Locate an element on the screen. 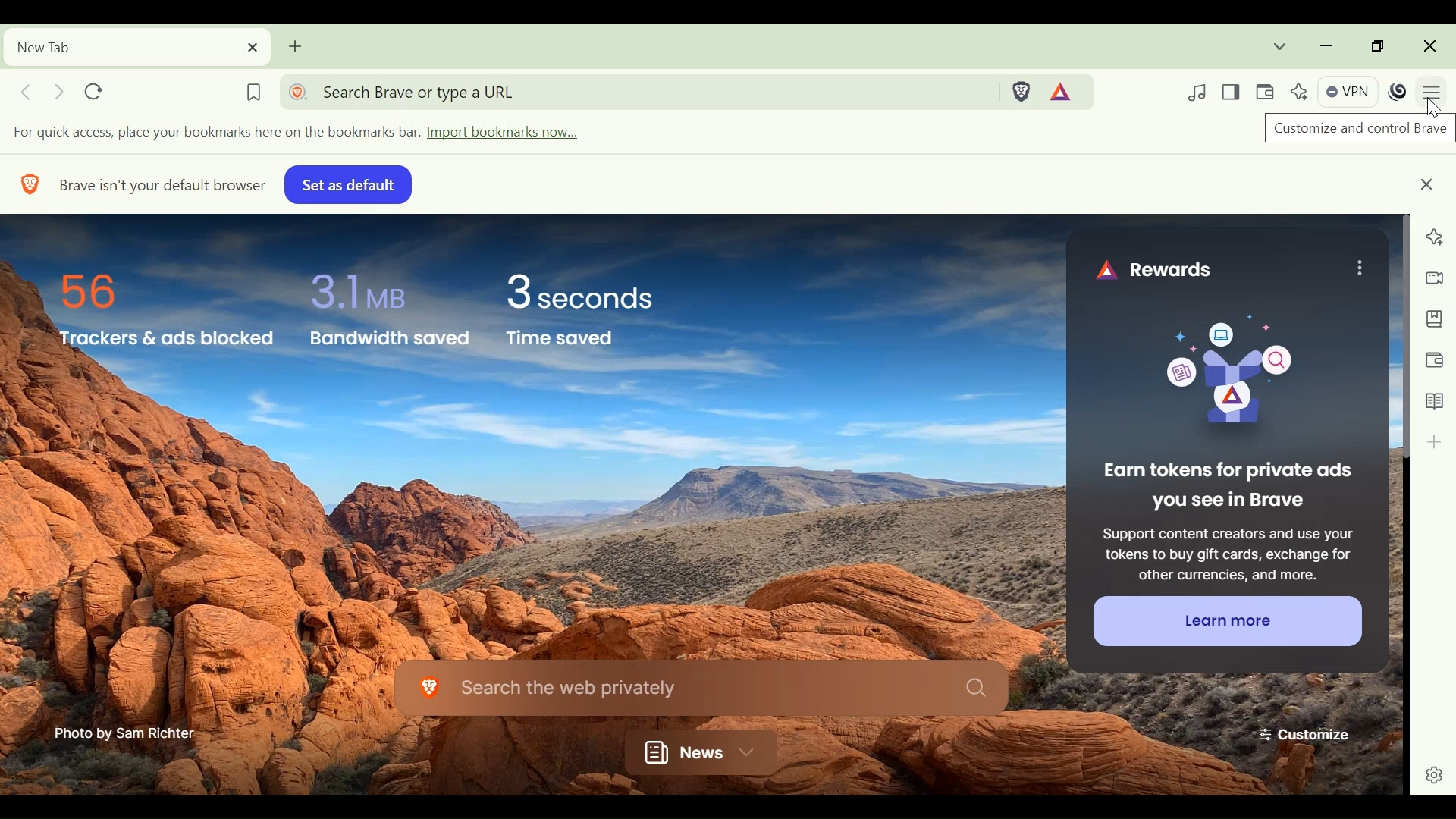 This screenshot has width=1456, height=819. set as default is located at coordinates (345, 184).